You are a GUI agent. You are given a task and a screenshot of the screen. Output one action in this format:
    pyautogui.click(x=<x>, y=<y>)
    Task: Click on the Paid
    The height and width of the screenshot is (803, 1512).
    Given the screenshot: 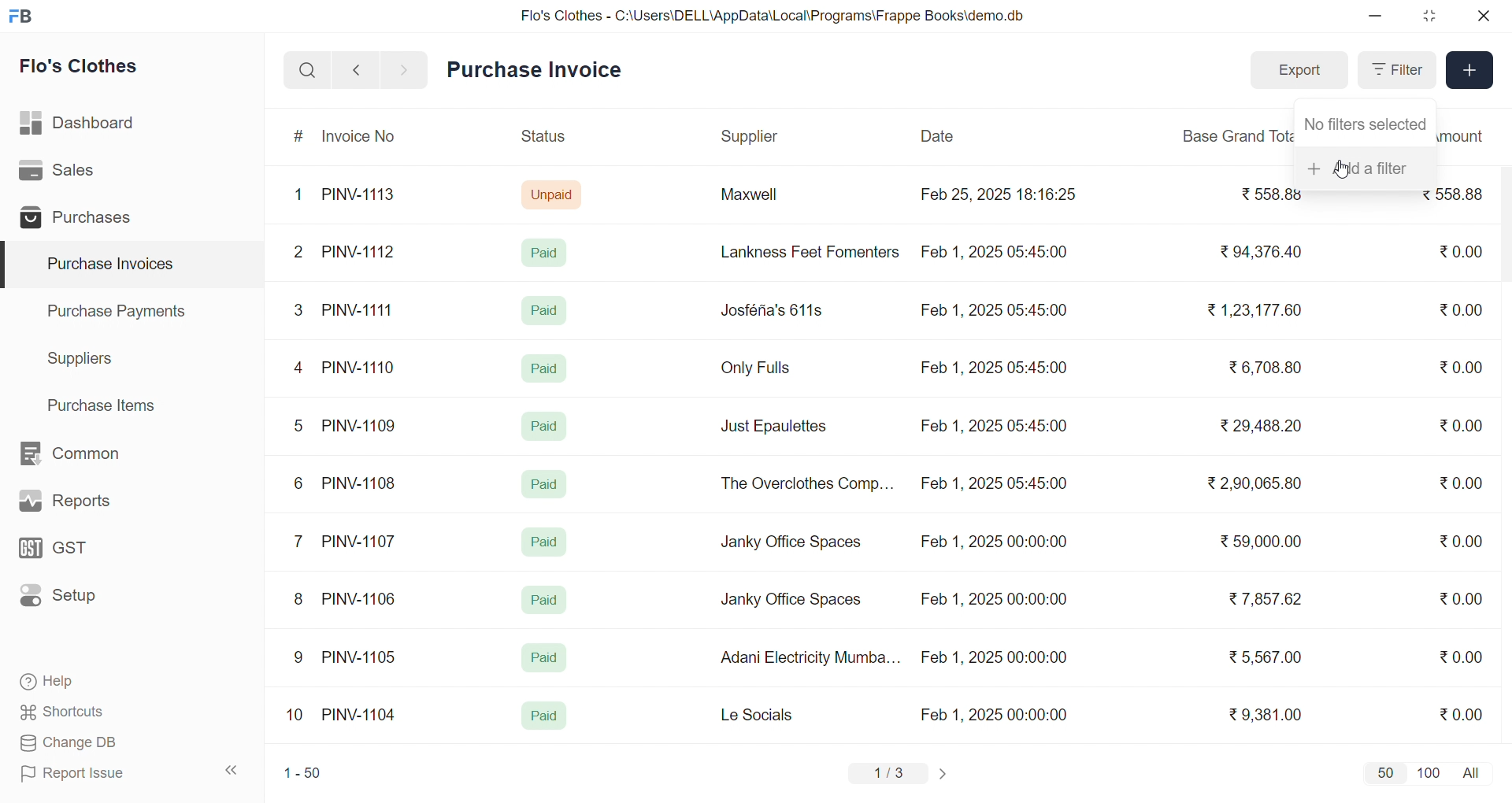 What is the action you would take?
    pyautogui.click(x=545, y=310)
    